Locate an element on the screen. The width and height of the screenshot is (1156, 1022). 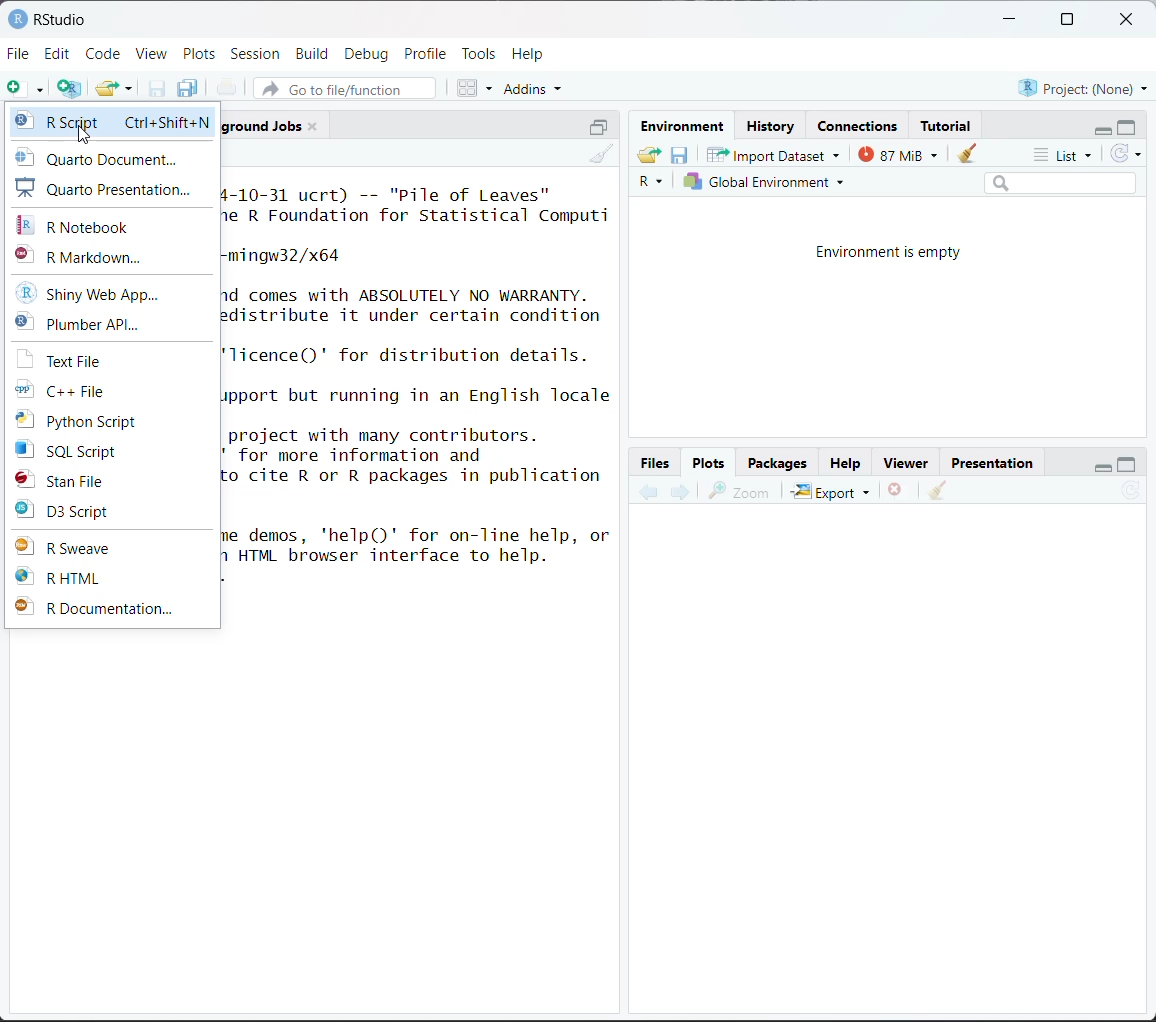
list is located at coordinates (1066, 156).